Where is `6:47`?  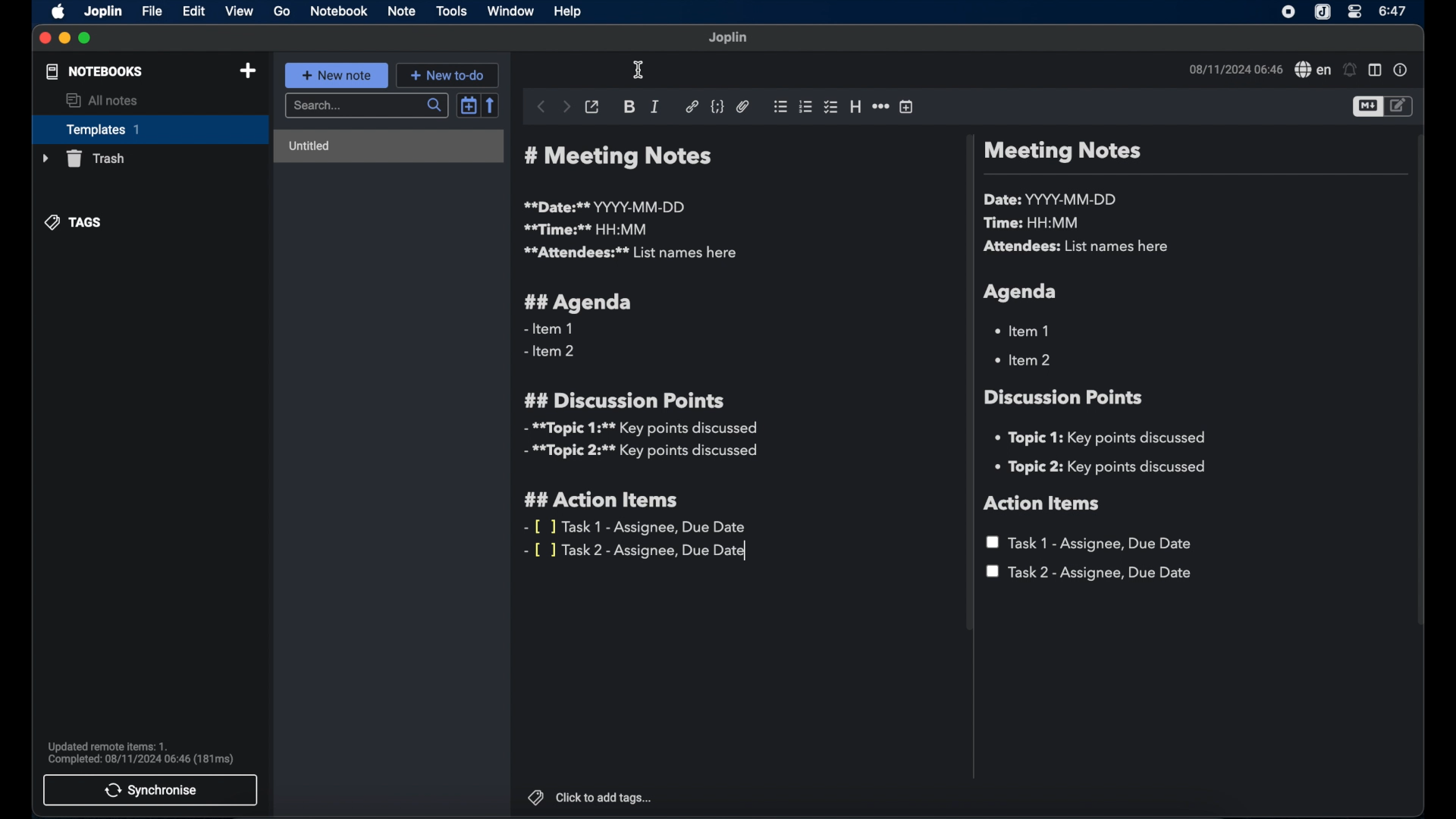
6:47 is located at coordinates (1392, 11).